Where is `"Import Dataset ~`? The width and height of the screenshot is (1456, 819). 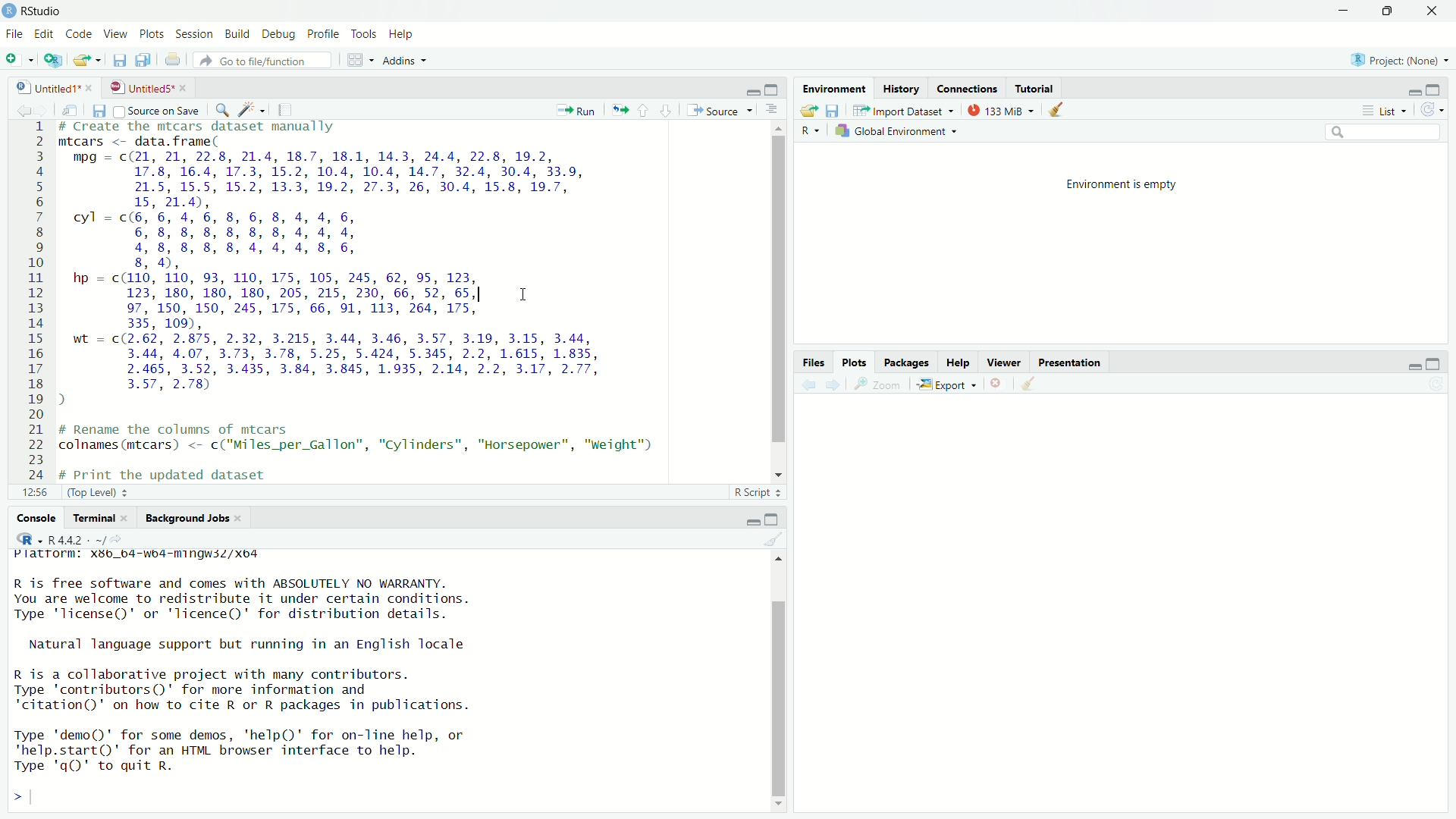 "Import Dataset ~ is located at coordinates (905, 112).